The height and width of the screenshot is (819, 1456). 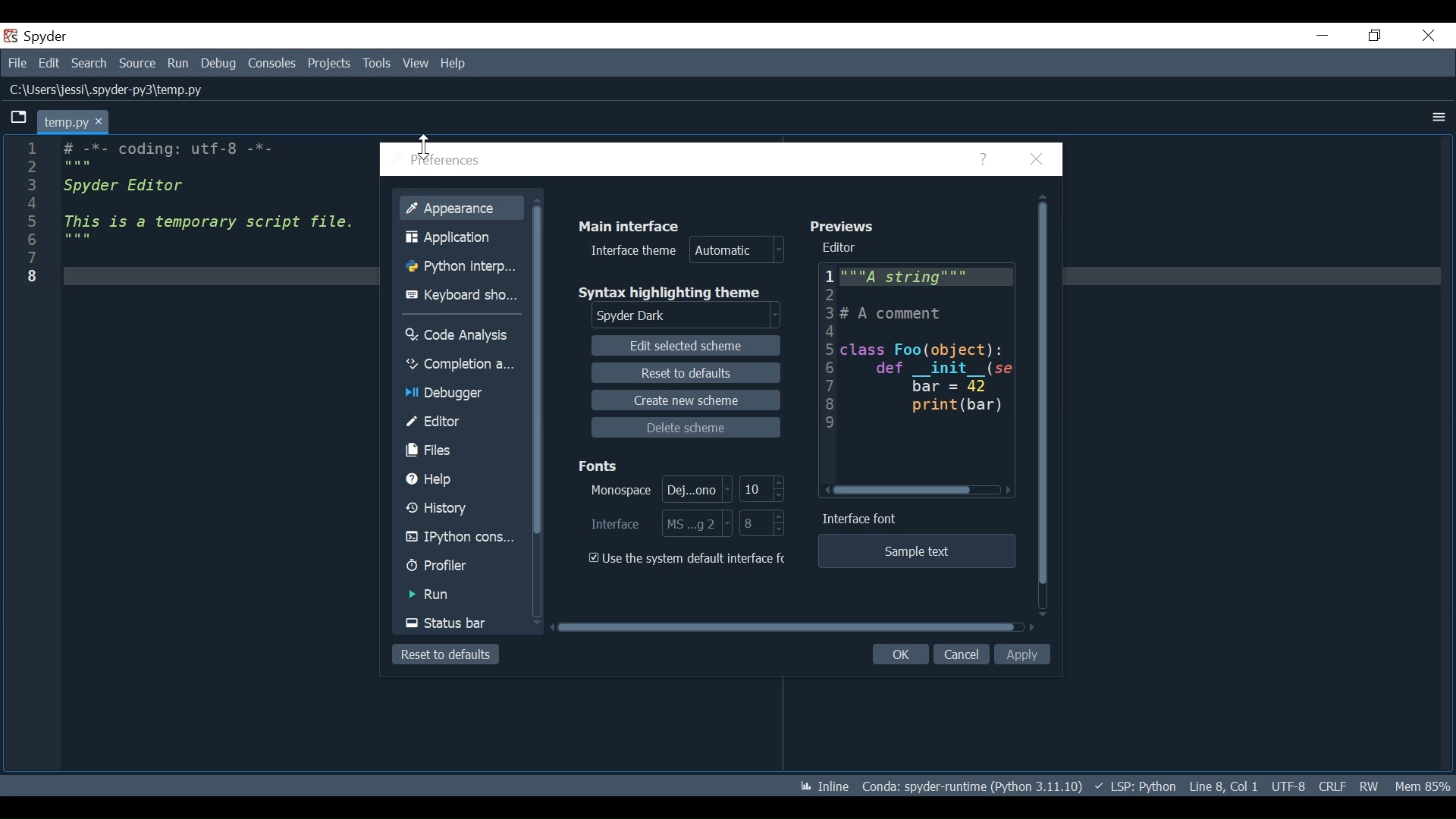 I want to click on Select Syntax highlighting theme, so click(x=686, y=317).